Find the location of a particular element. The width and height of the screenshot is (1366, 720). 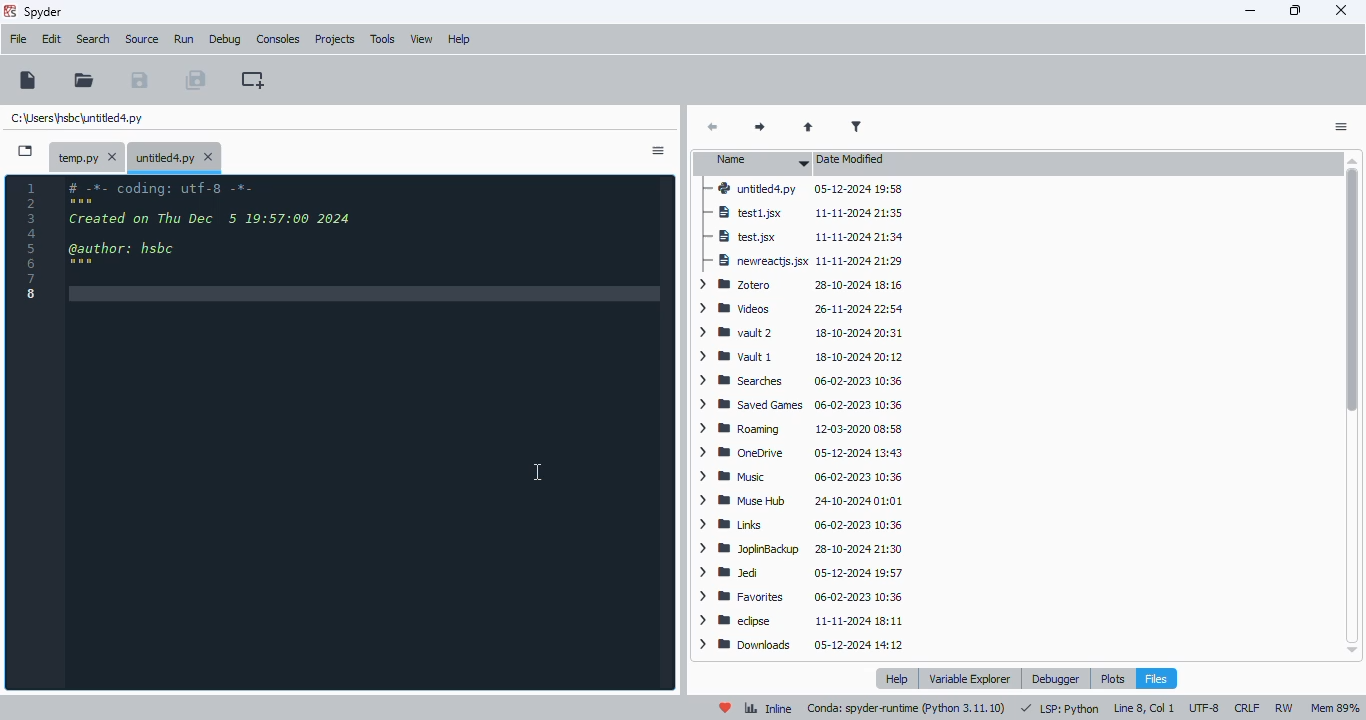

vertical scroll bar is located at coordinates (1351, 292).